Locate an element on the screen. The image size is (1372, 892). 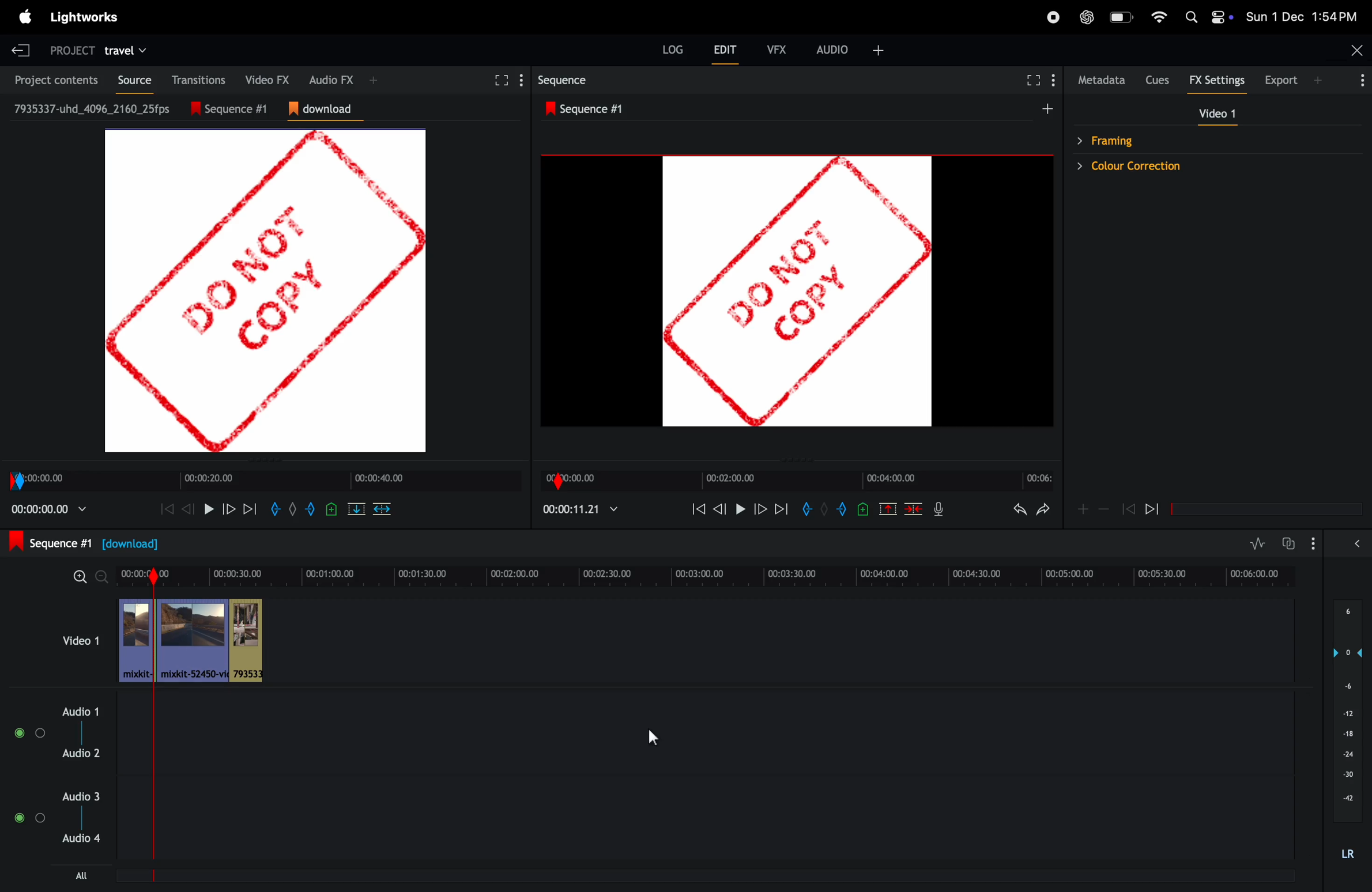
cut is located at coordinates (888, 508).